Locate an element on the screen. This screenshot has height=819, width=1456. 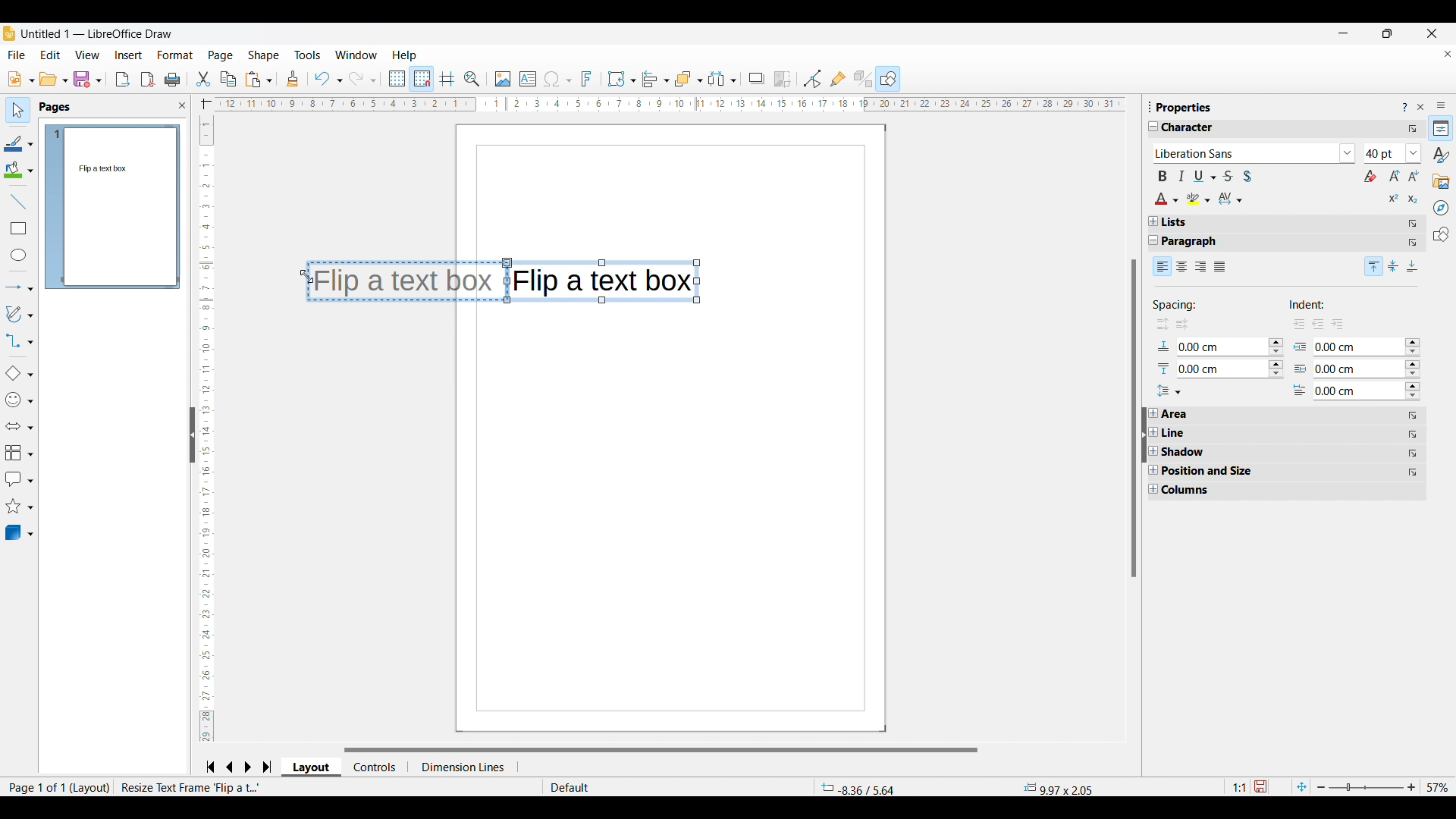
Type in character sizes is located at coordinates (1384, 155).